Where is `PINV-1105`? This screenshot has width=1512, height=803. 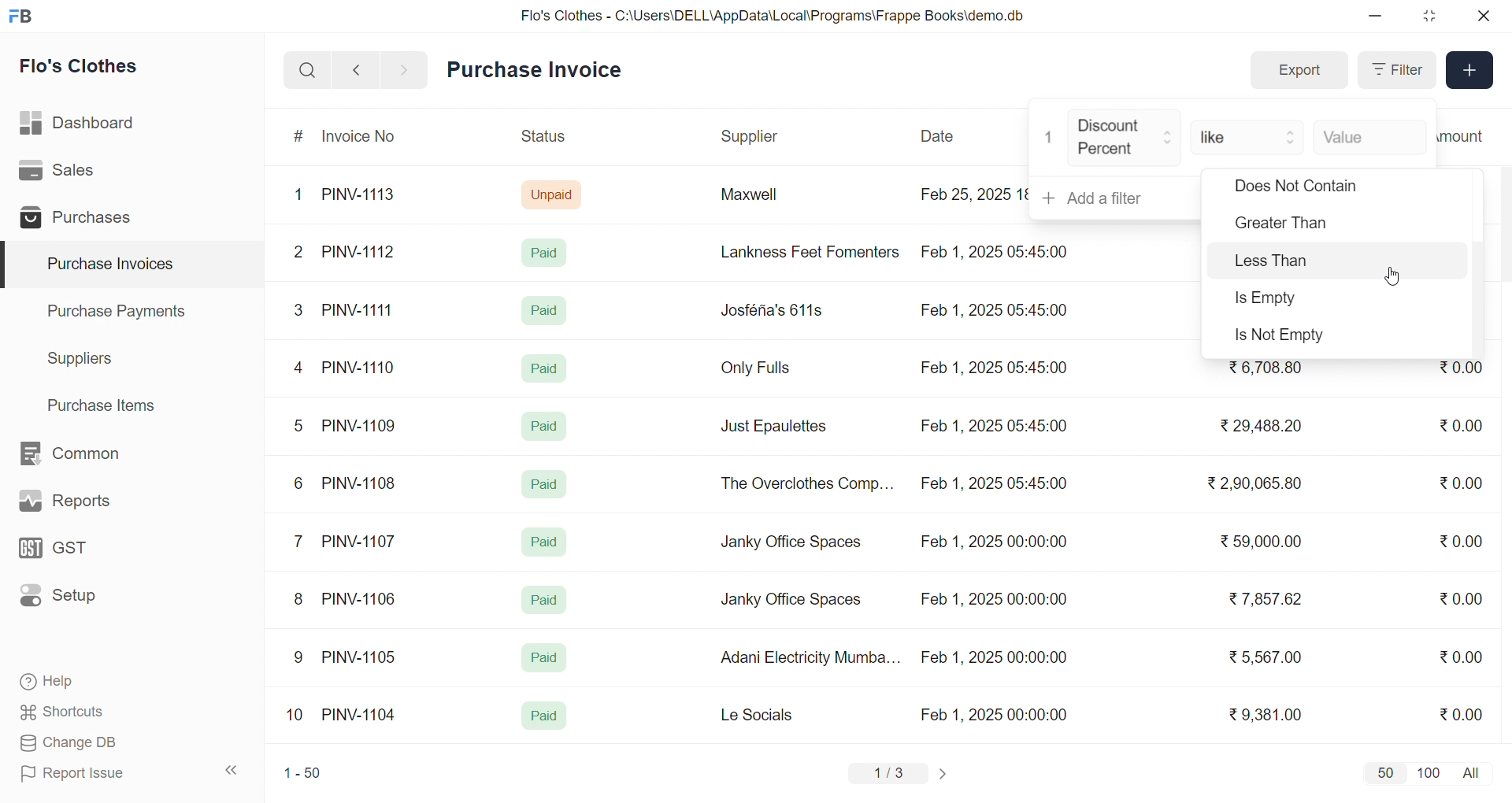 PINV-1105 is located at coordinates (362, 657).